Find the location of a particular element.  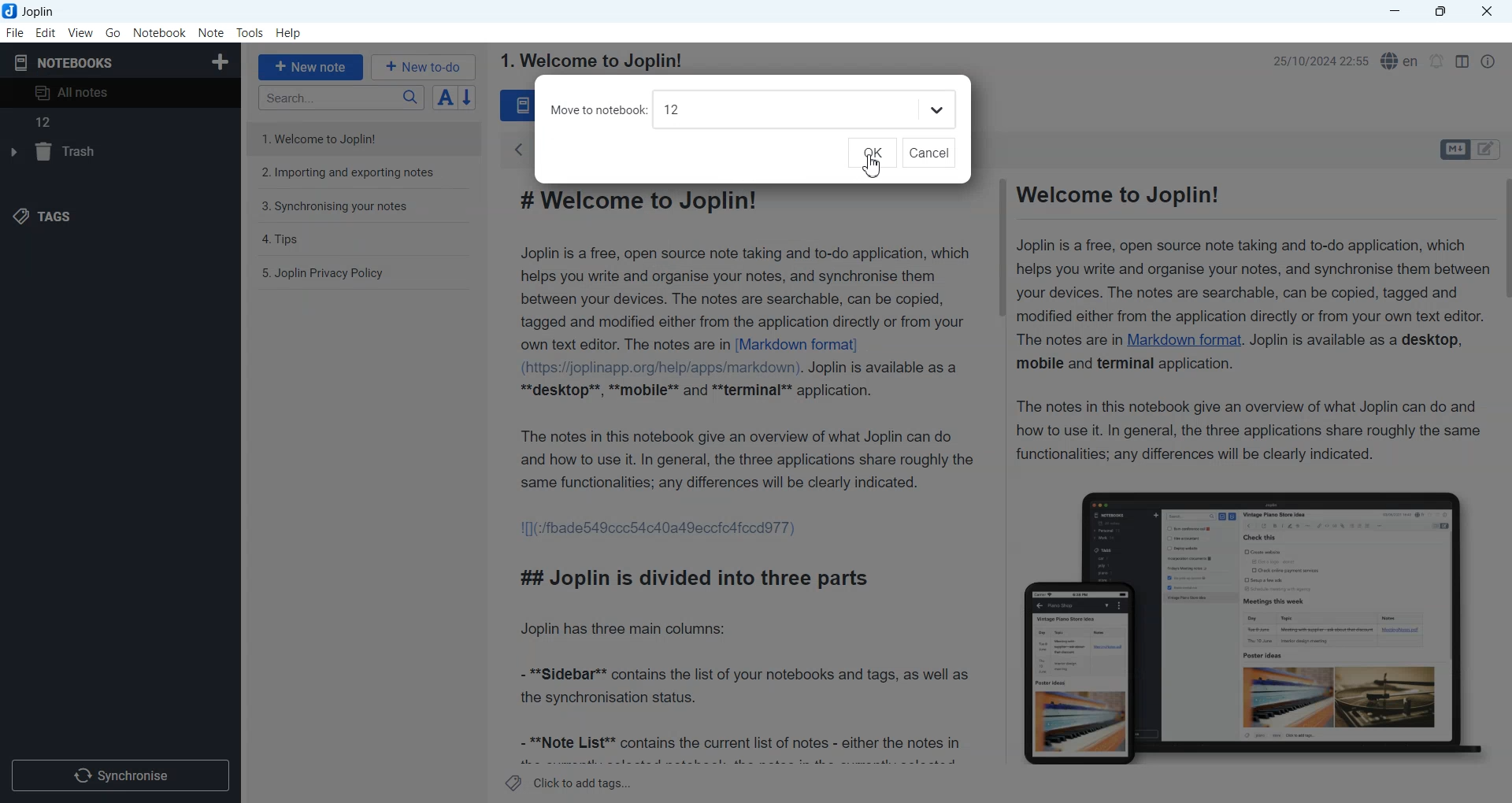

Minimize is located at coordinates (1395, 12).